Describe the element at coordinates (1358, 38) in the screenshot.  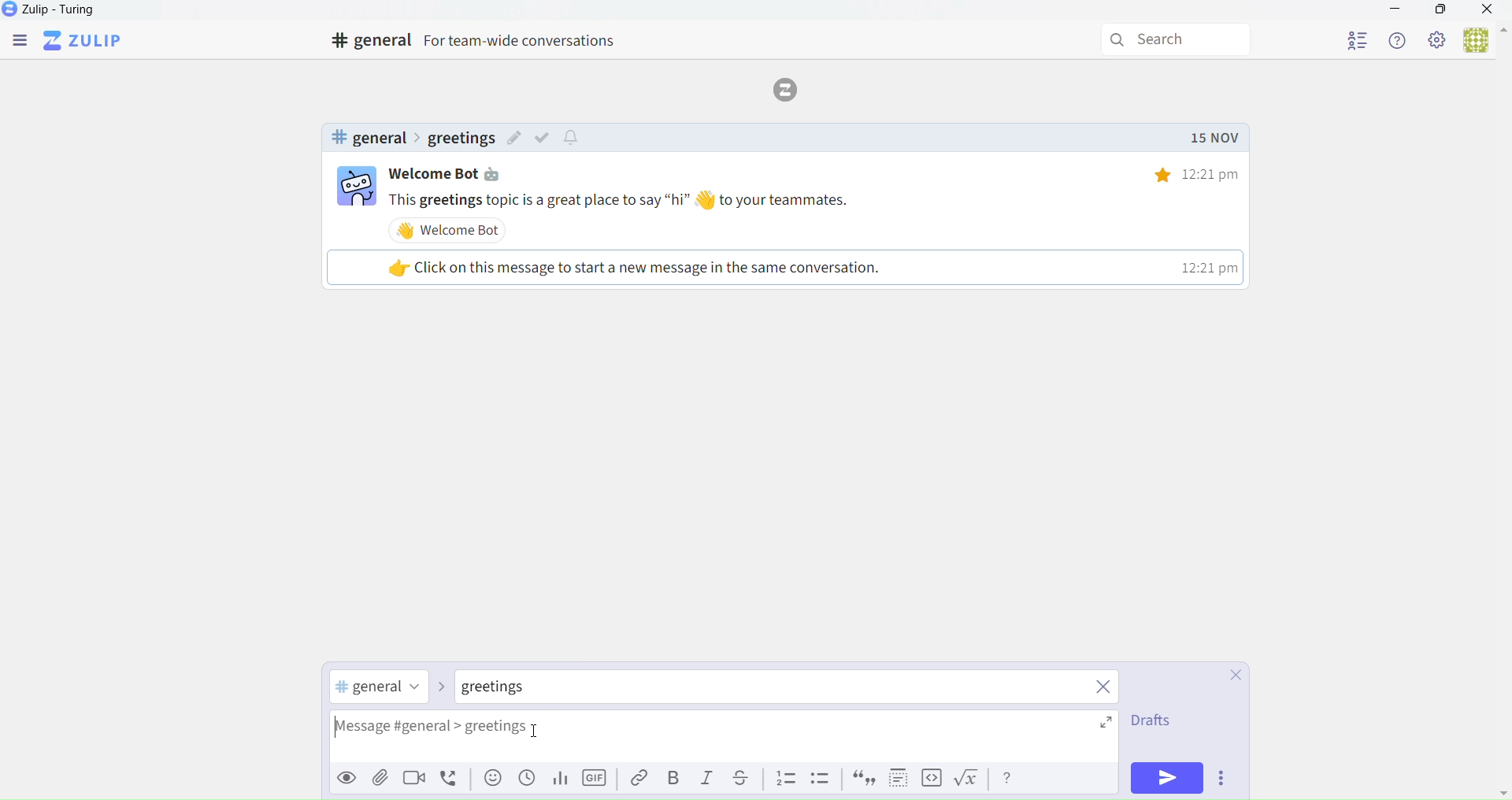
I see `profile` at that location.